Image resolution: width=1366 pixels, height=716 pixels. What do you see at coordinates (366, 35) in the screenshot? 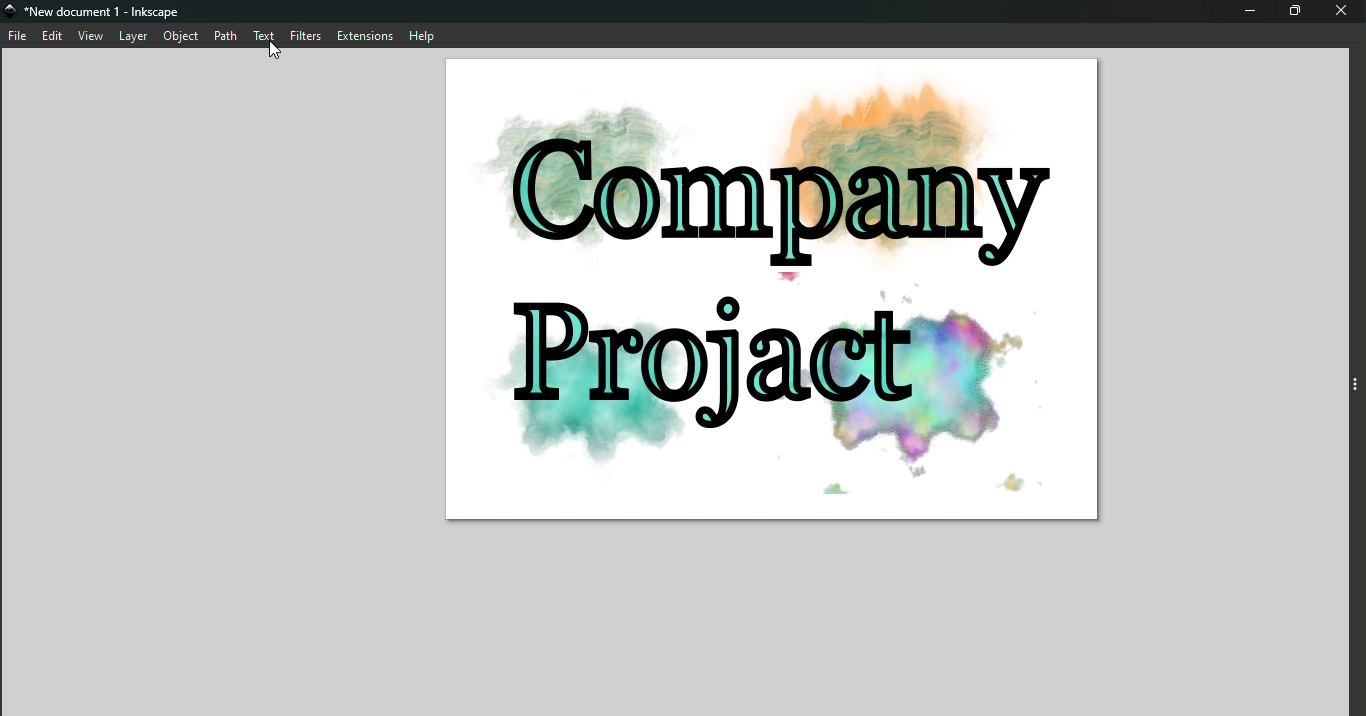
I see `extensions` at bounding box center [366, 35].